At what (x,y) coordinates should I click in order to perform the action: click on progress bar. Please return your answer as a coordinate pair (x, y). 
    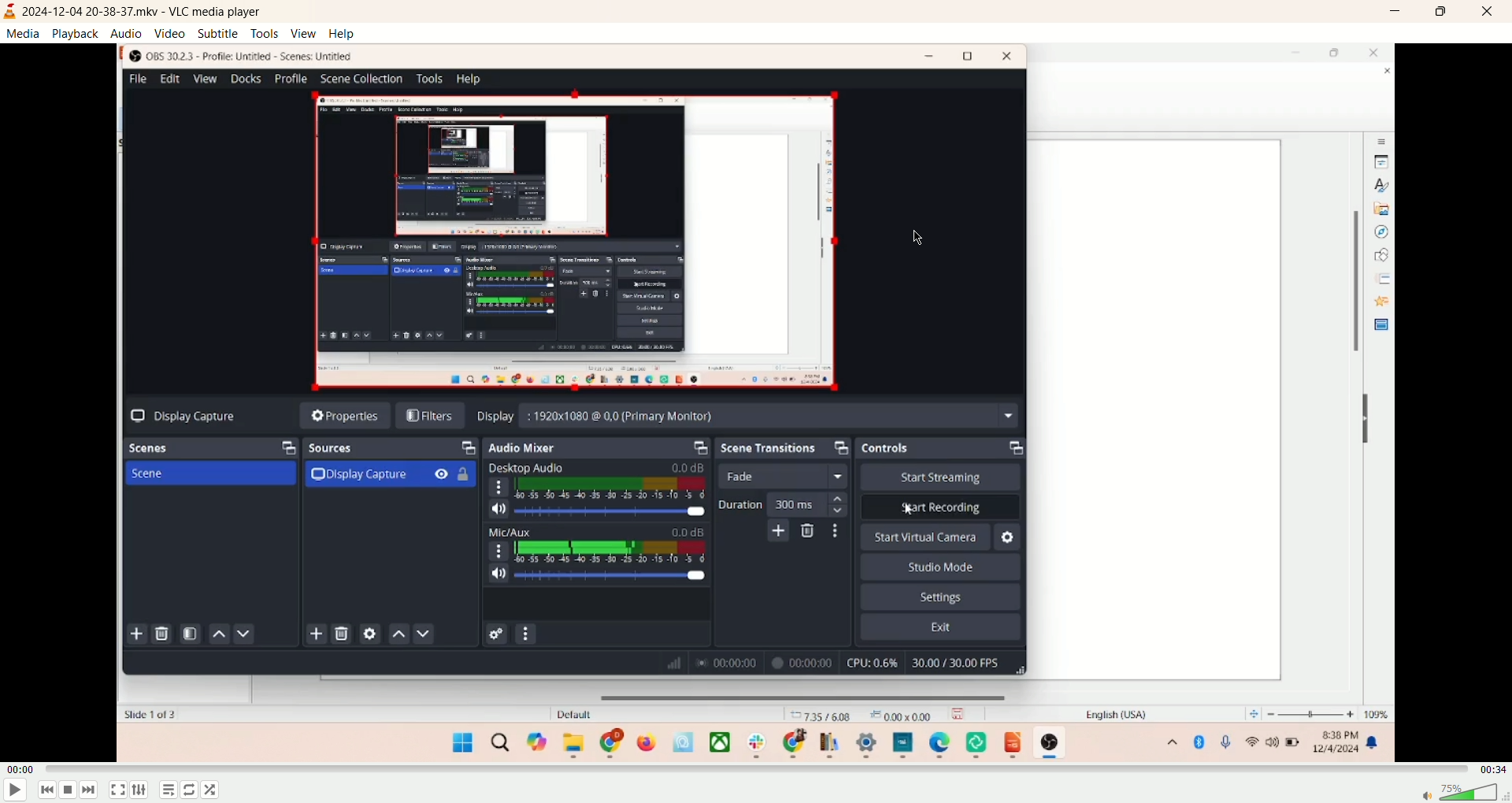
    Looking at the image, I should click on (755, 769).